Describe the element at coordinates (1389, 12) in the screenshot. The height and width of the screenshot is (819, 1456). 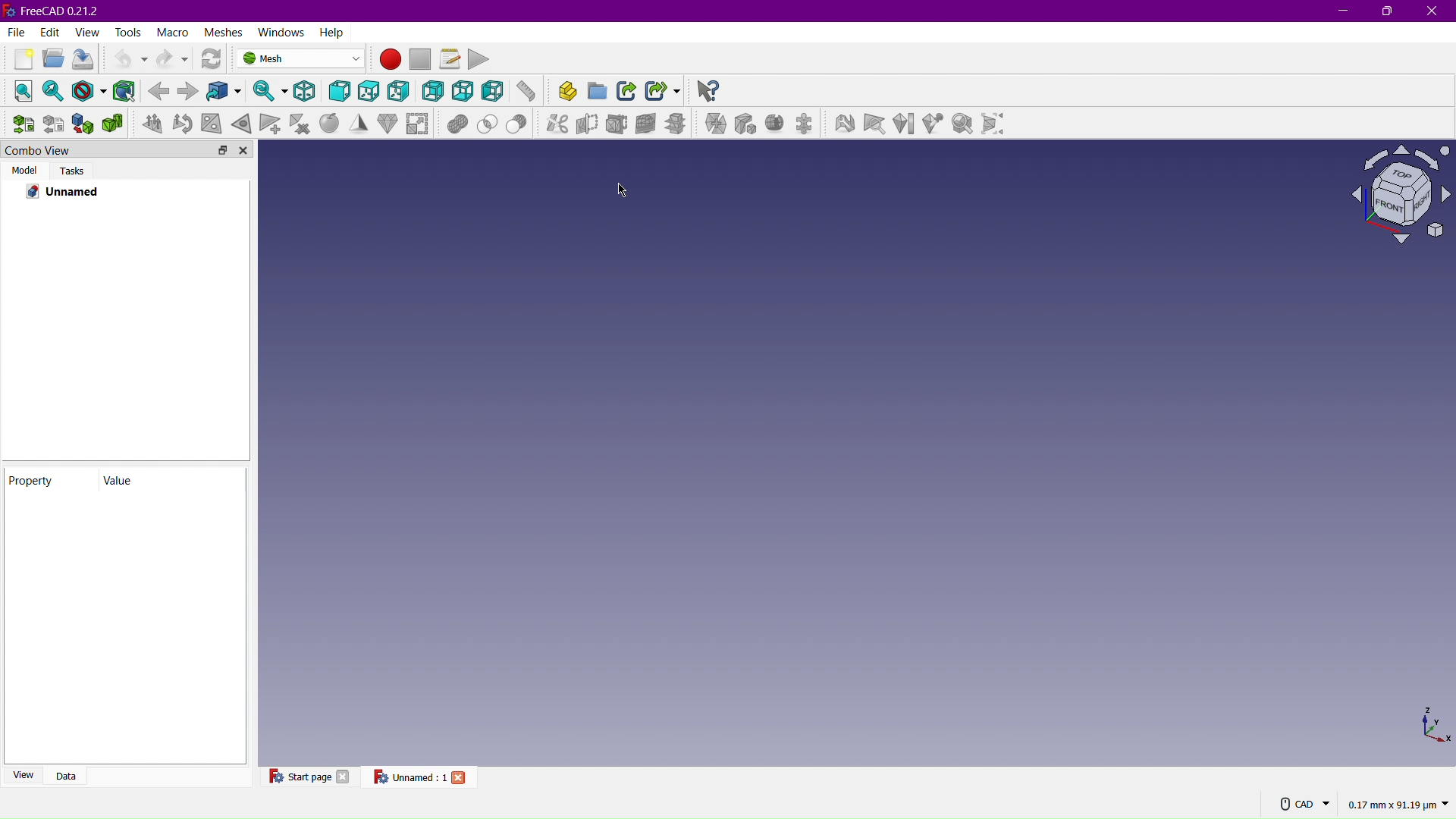
I see `Maximize` at that location.